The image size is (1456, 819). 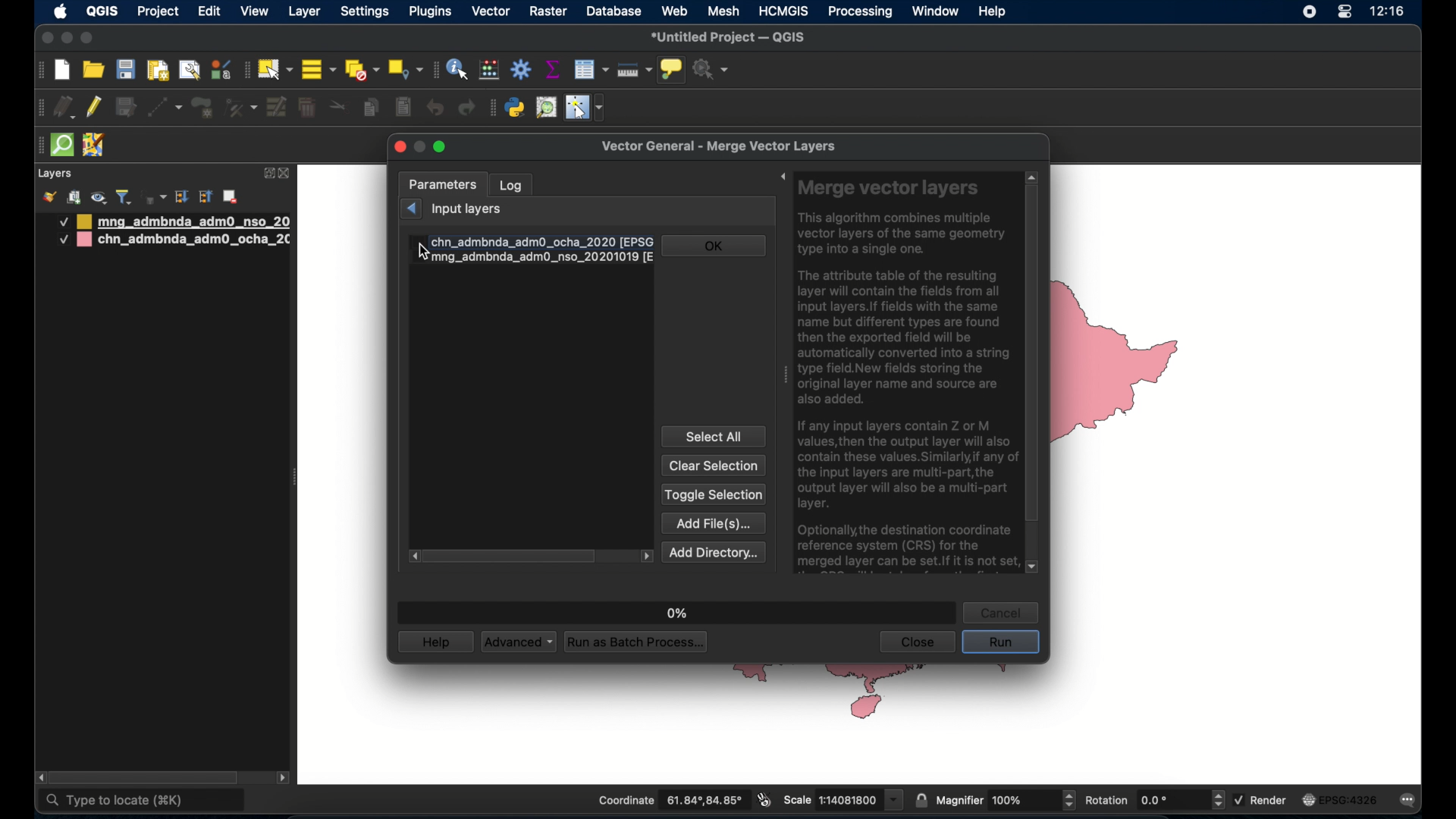 What do you see at coordinates (410, 208) in the screenshot?
I see `previous` at bounding box center [410, 208].